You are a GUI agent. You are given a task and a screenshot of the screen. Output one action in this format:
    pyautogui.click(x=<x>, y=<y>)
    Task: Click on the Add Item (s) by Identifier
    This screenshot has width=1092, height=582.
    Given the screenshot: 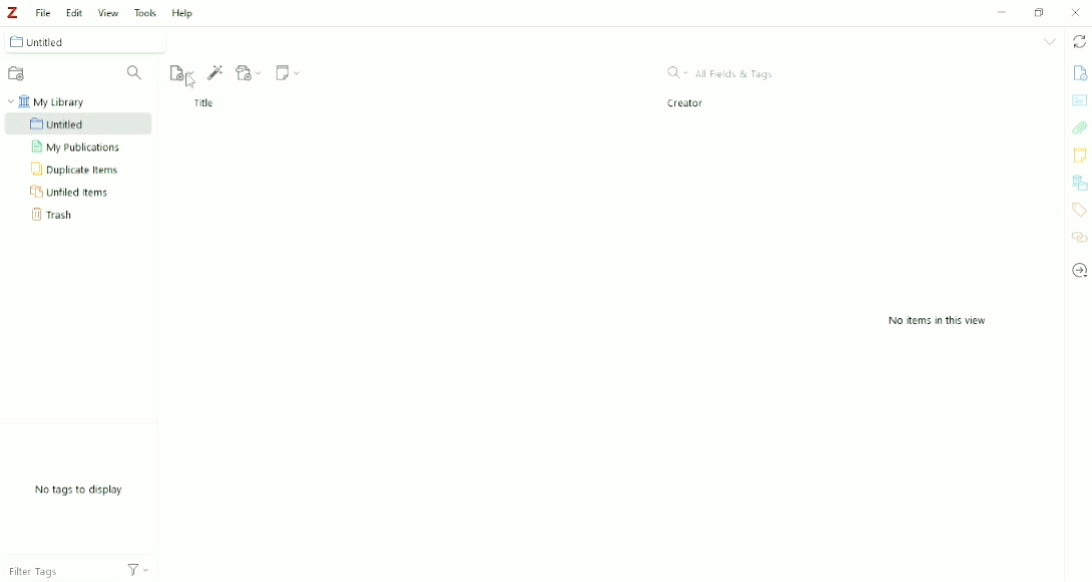 What is the action you would take?
    pyautogui.click(x=217, y=72)
    